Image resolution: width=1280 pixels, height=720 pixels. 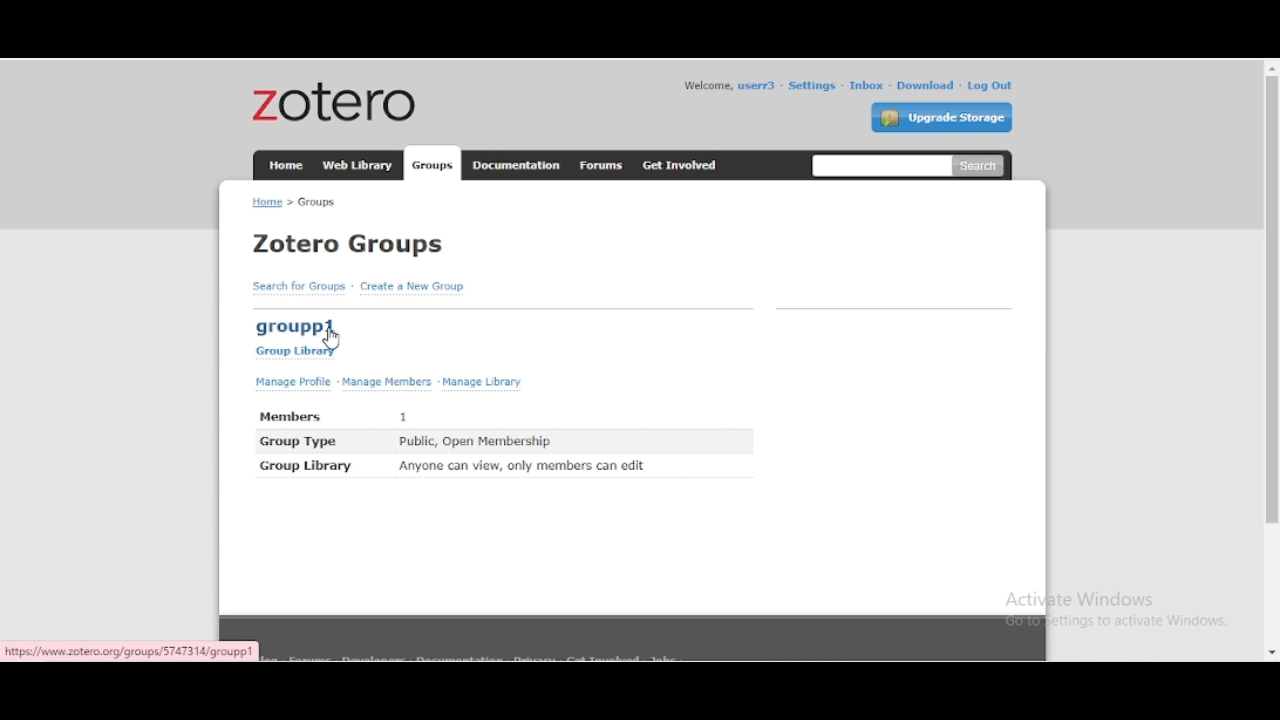 What do you see at coordinates (521, 466) in the screenshot?
I see `anyone can view, only members can edit` at bounding box center [521, 466].